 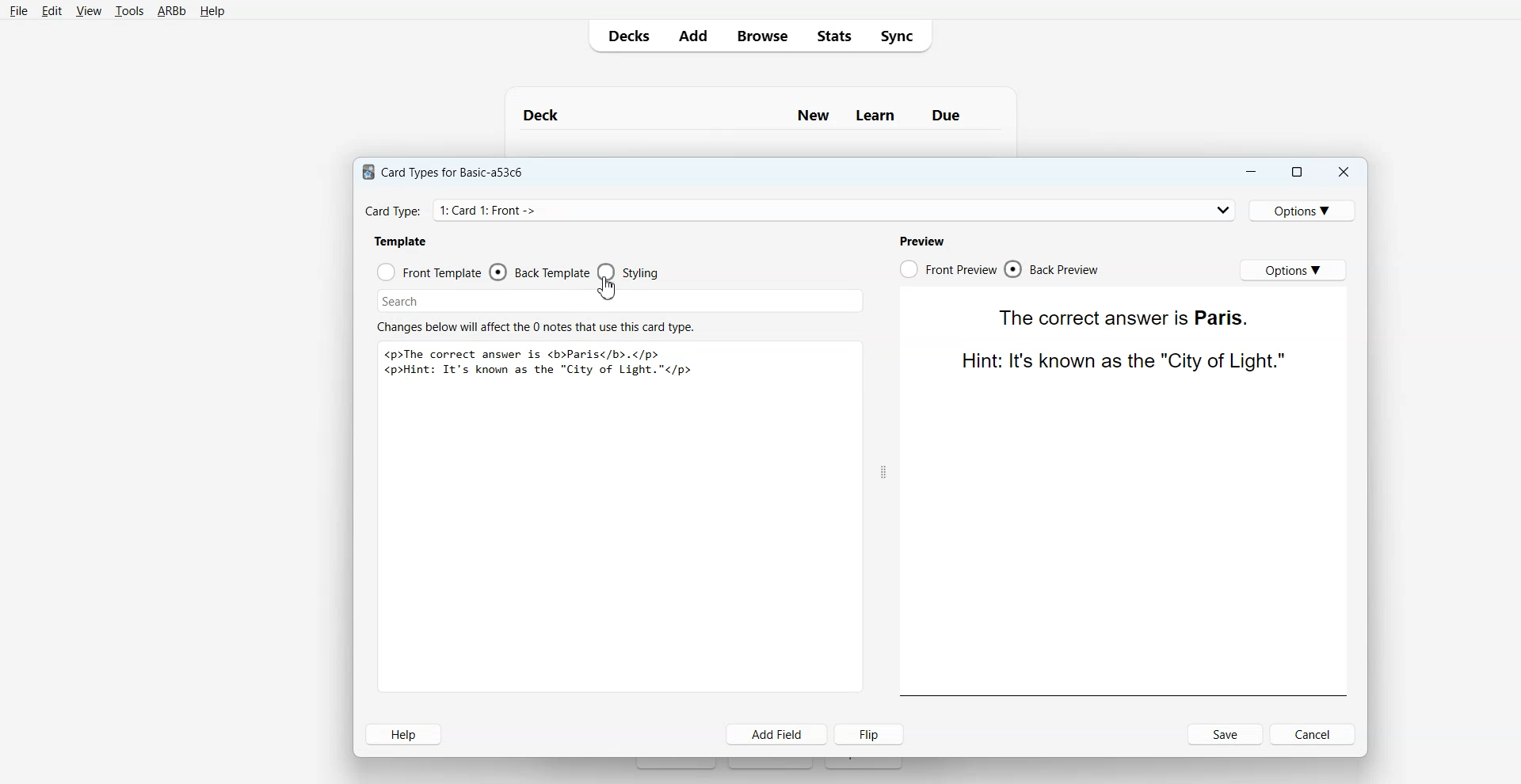 What do you see at coordinates (902, 35) in the screenshot?
I see `Sync` at bounding box center [902, 35].